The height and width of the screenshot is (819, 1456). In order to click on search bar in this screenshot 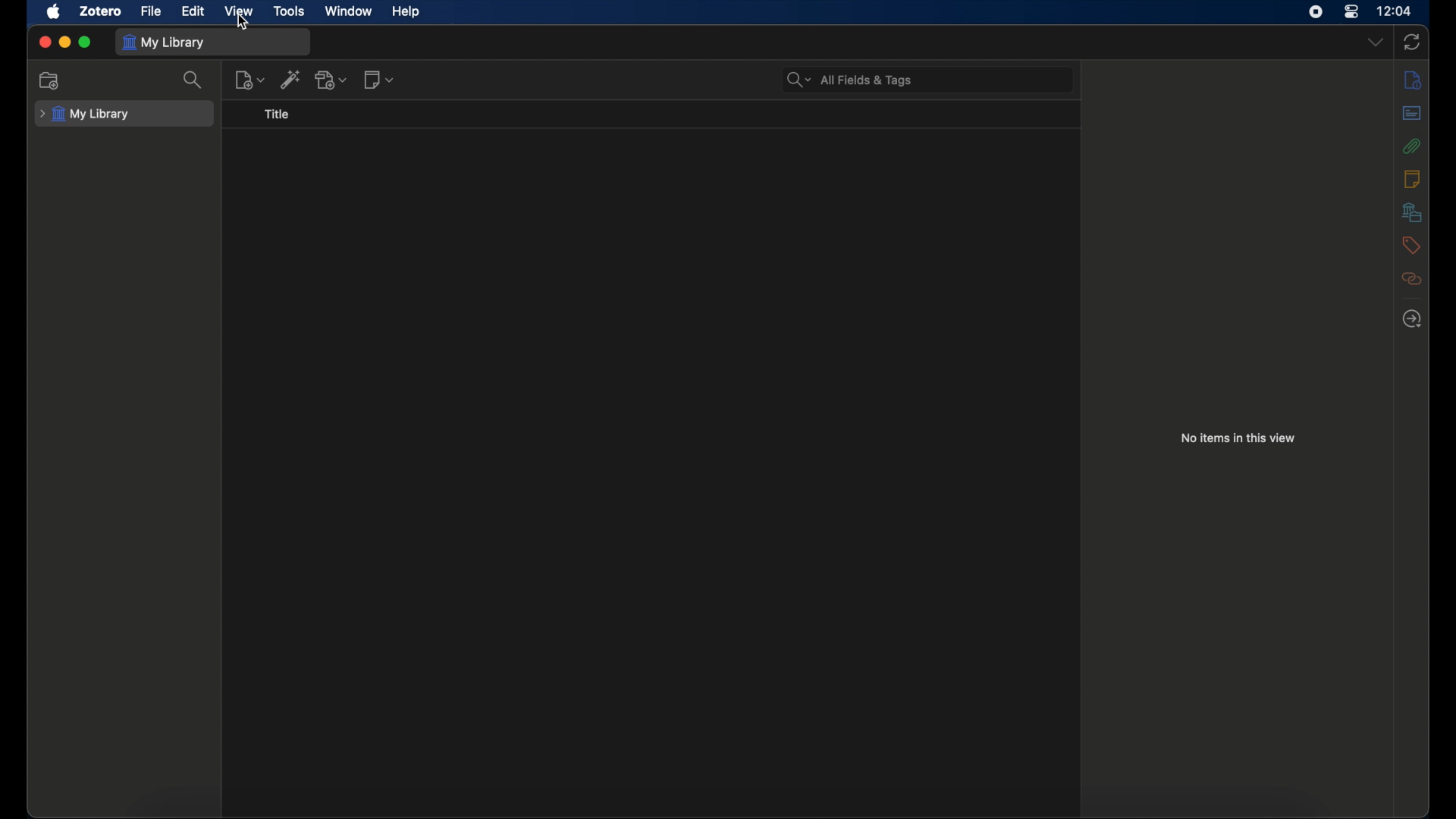, I will do `click(849, 79)`.